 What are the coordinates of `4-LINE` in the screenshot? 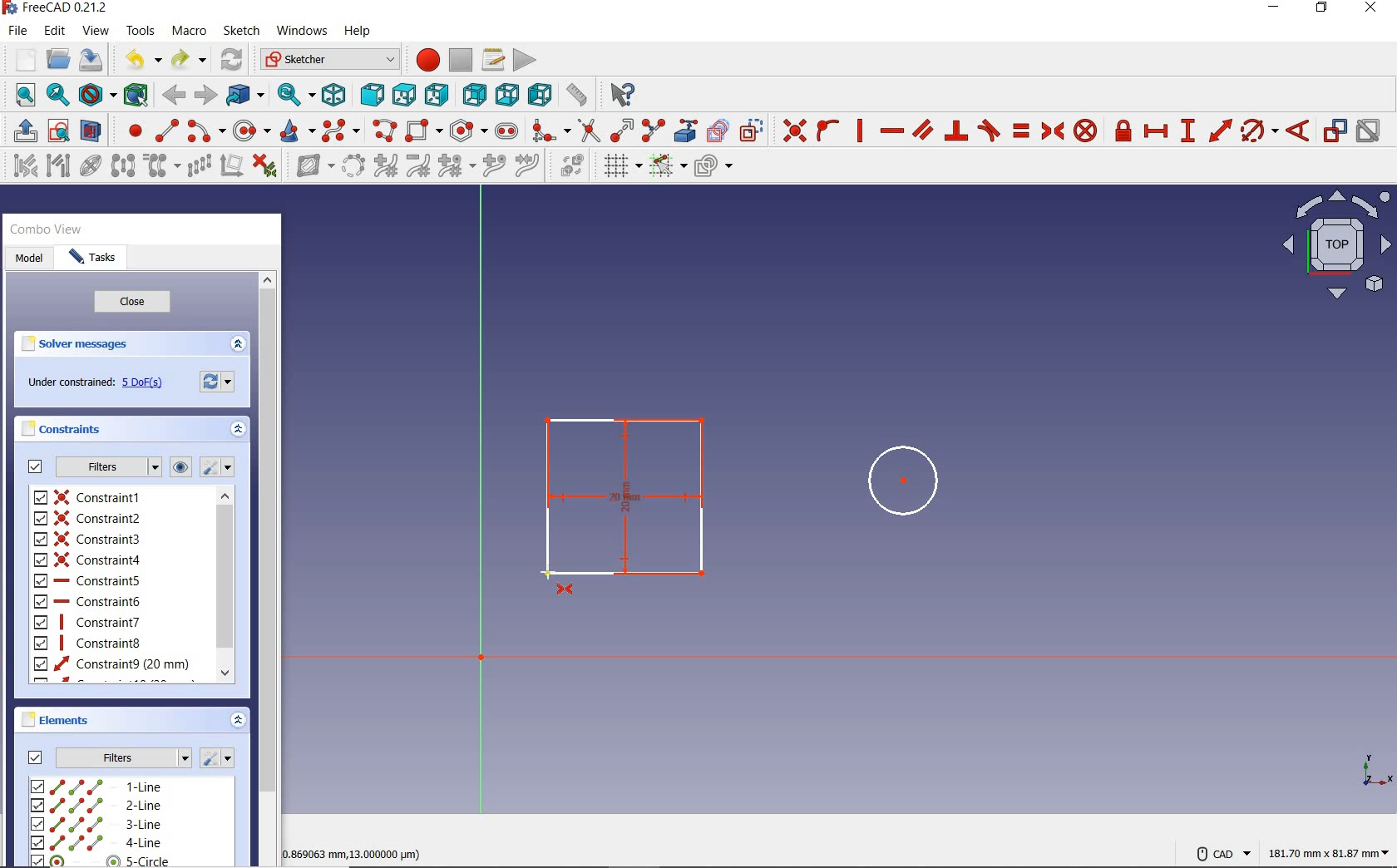 It's located at (95, 842).